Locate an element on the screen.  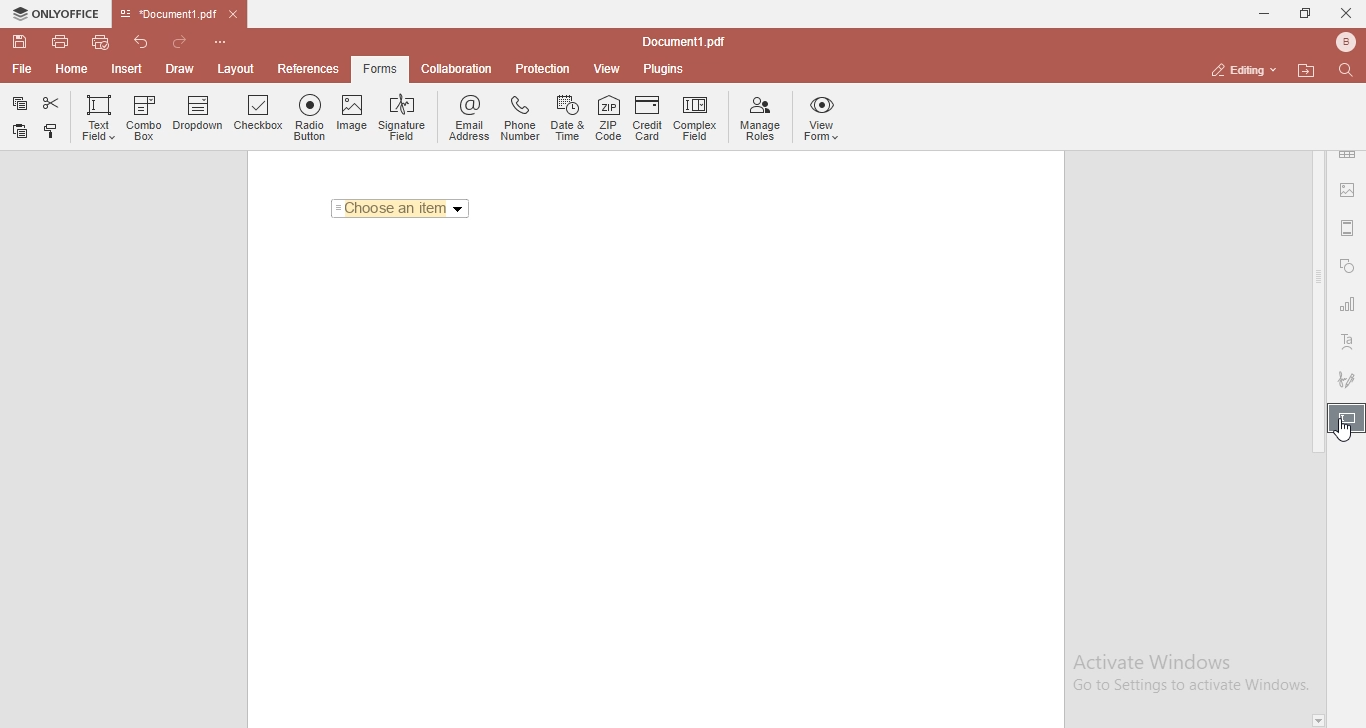
zip code is located at coordinates (609, 120).